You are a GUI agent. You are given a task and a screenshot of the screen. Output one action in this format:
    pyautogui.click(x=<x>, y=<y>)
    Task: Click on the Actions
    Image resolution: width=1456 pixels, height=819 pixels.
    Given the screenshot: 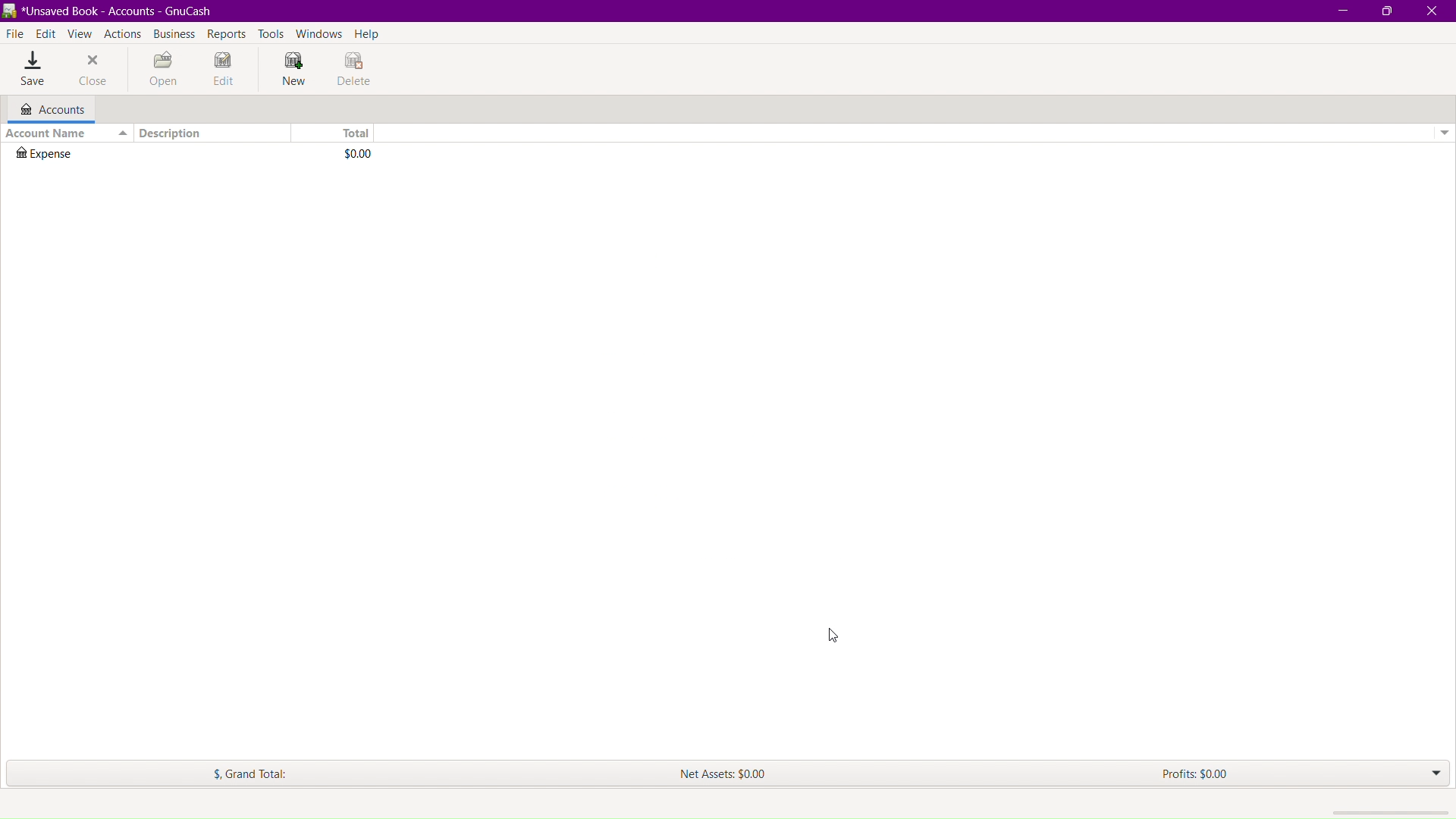 What is the action you would take?
    pyautogui.click(x=122, y=32)
    